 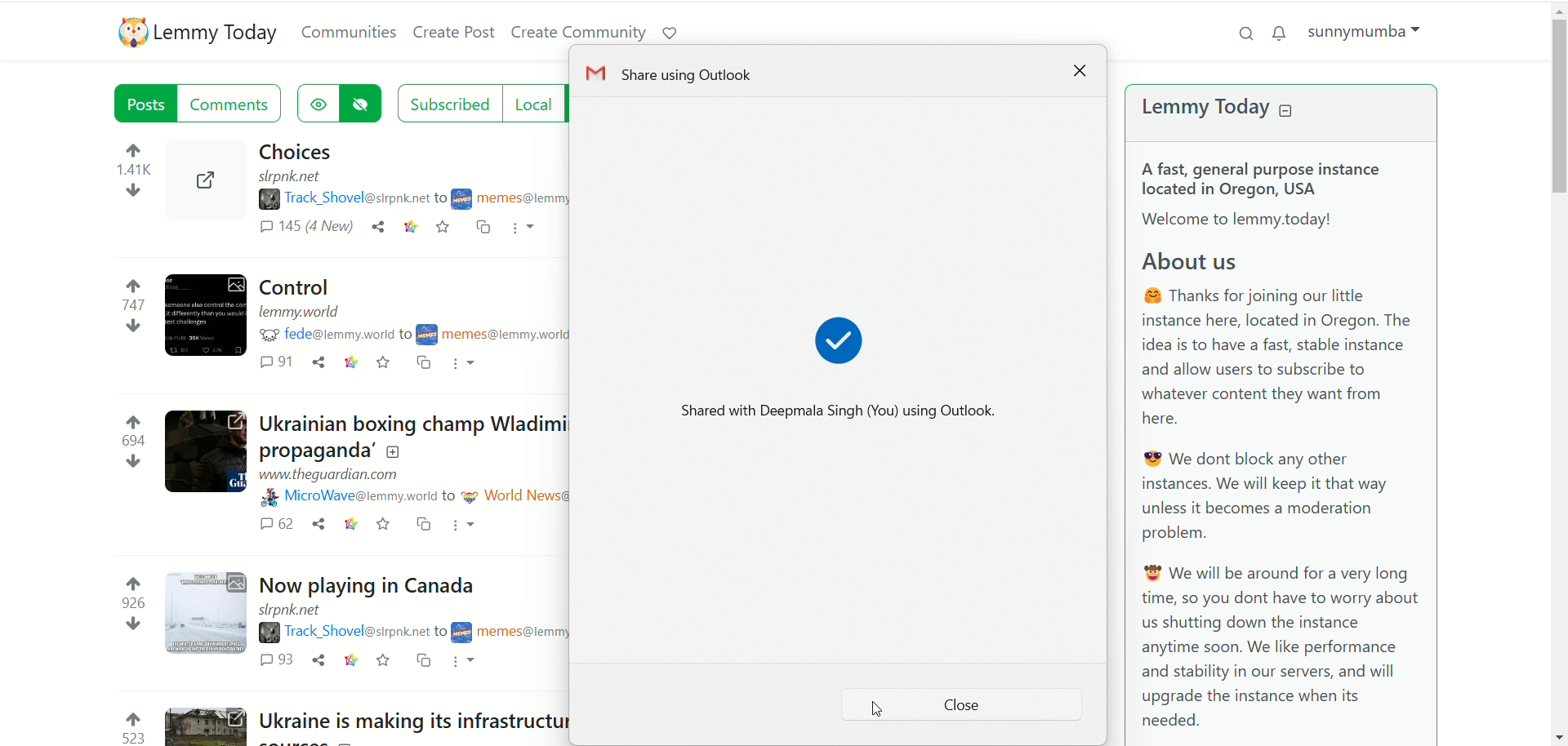 I want to click on sunnymumba(account), so click(x=1374, y=34).